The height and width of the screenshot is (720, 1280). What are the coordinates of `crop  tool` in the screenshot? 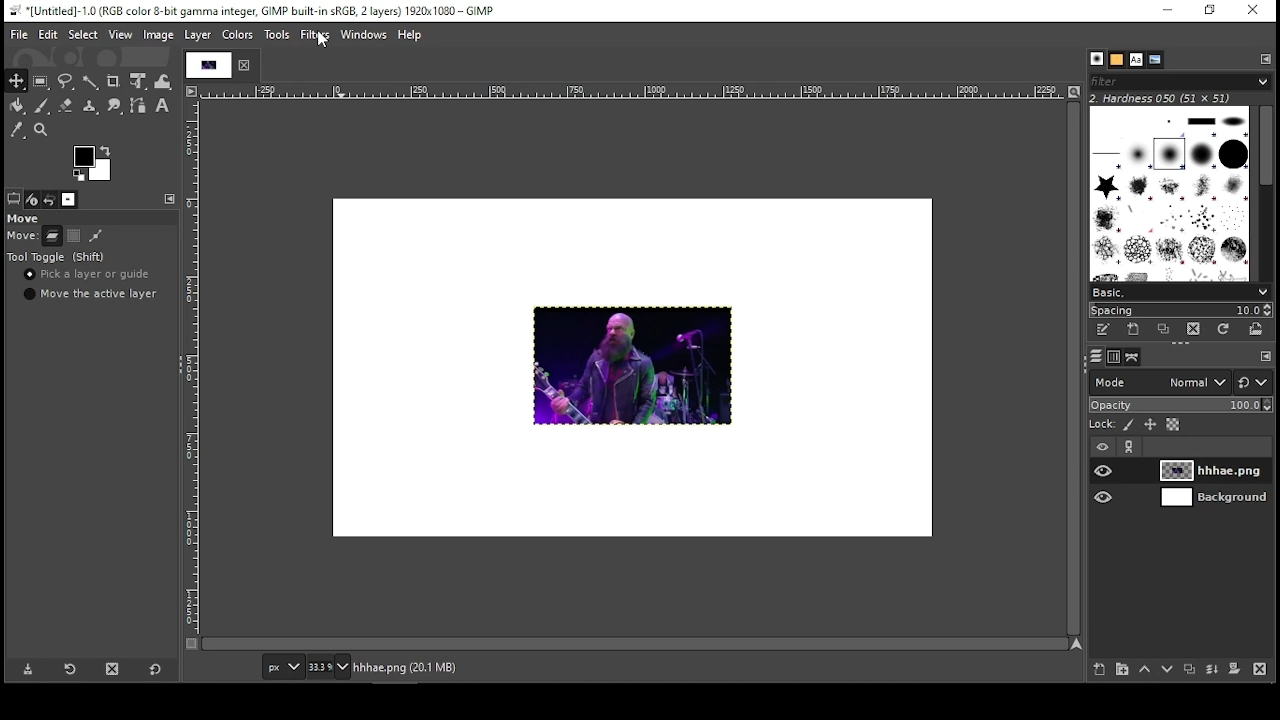 It's located at (114, 82).